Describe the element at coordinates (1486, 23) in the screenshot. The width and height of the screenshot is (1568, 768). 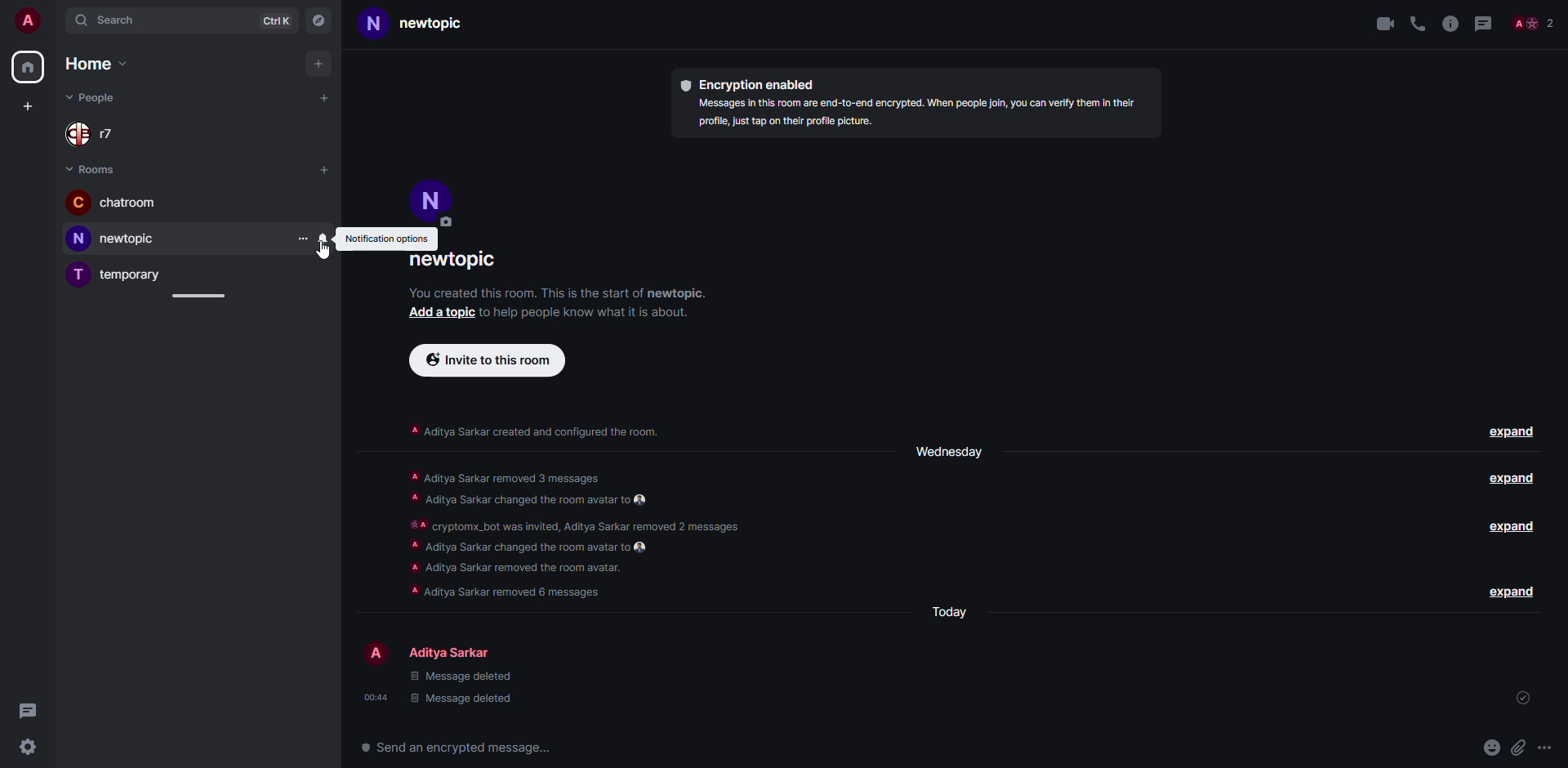
I see `threads` at that location.